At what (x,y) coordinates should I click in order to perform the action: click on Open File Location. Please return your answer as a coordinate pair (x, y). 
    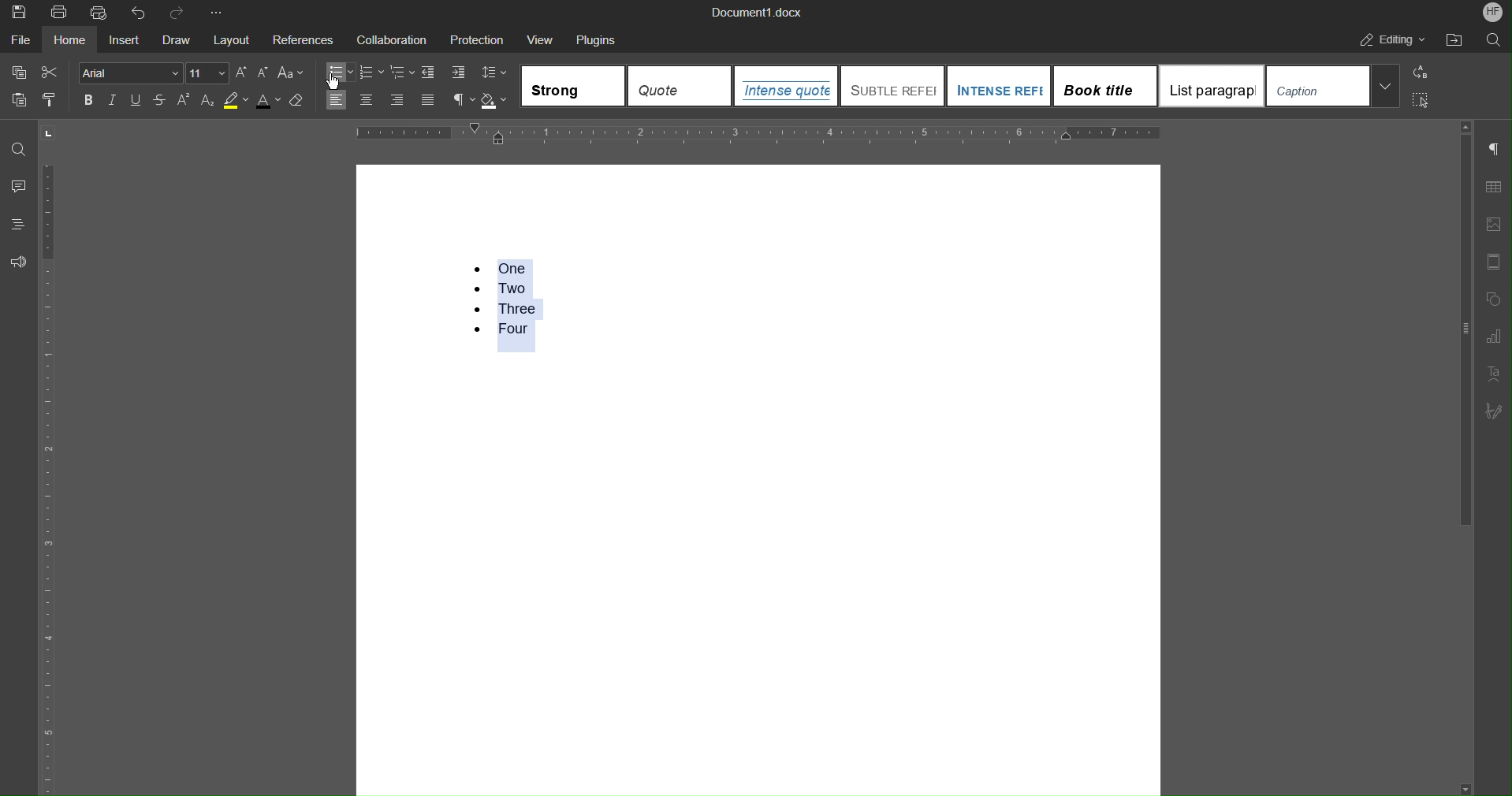
    Looking at the image, I should click on (1453, 38).